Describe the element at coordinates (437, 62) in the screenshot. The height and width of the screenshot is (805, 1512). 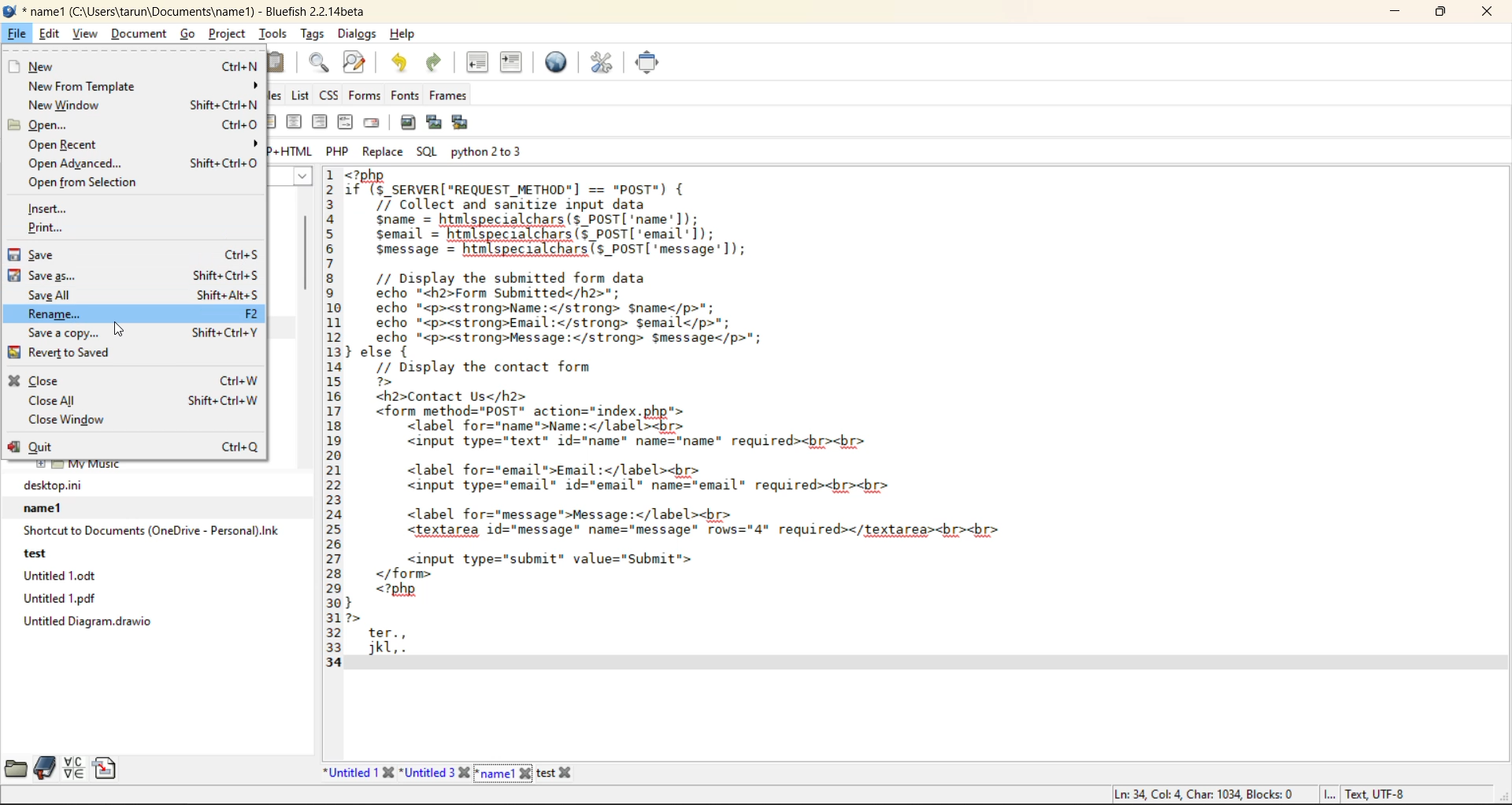
I see `redo` at that location.